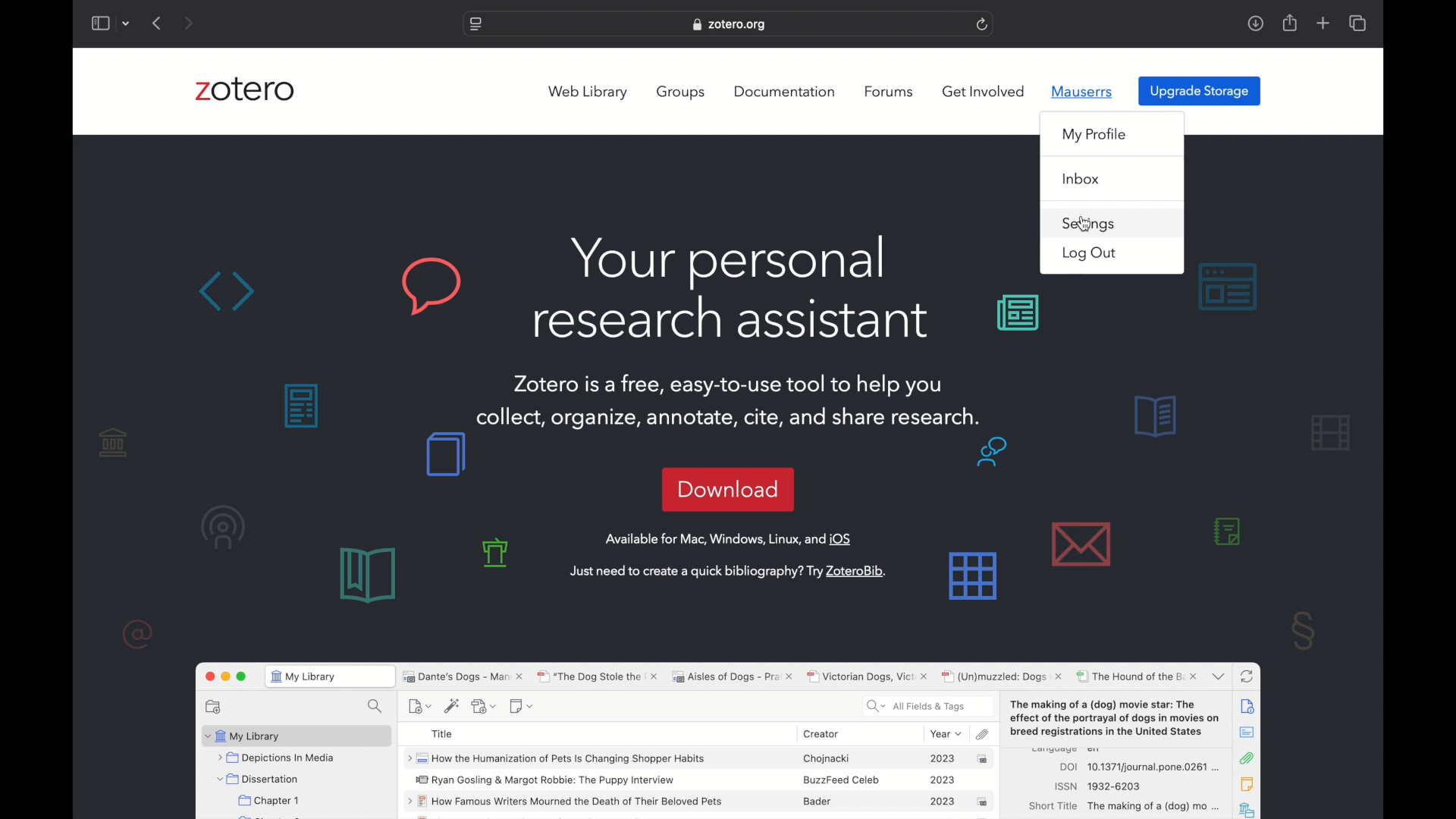 Image resolution: width=1456 pixels, height=819 pixels. What do you see at coordinates (1228, 287) in the screenshot?
I see `background graphics` at bounding box center [1228, 287].